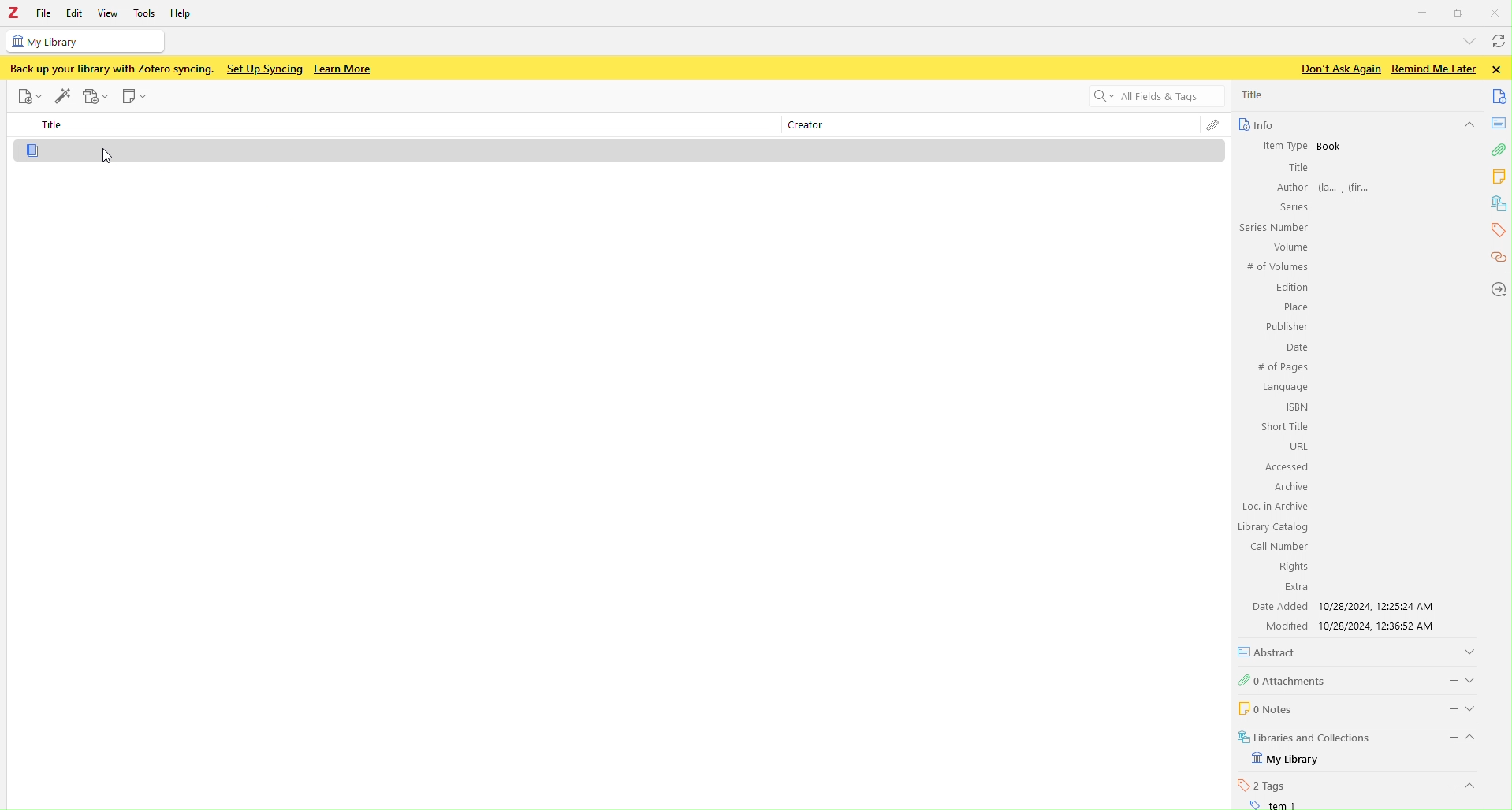 The width and height of the screenshot is (1512, 810). Describe the element at coordinates (1468, 126) in the screenshot. I see `hide` at that location.